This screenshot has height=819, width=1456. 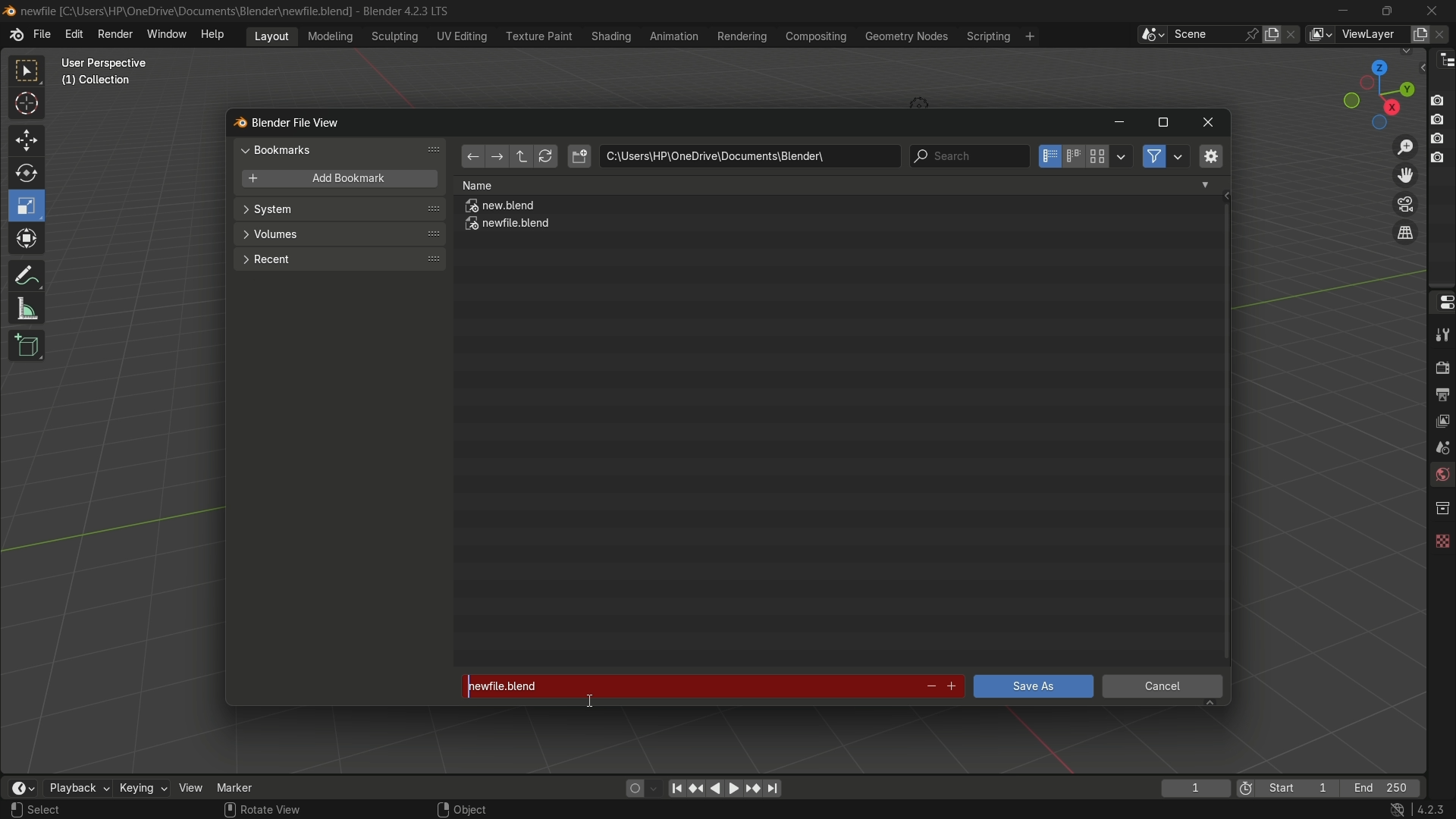 What do you see at coordinates (115, 33) in the screenshot?
I see `render menu` at bounding box center [115, 33].